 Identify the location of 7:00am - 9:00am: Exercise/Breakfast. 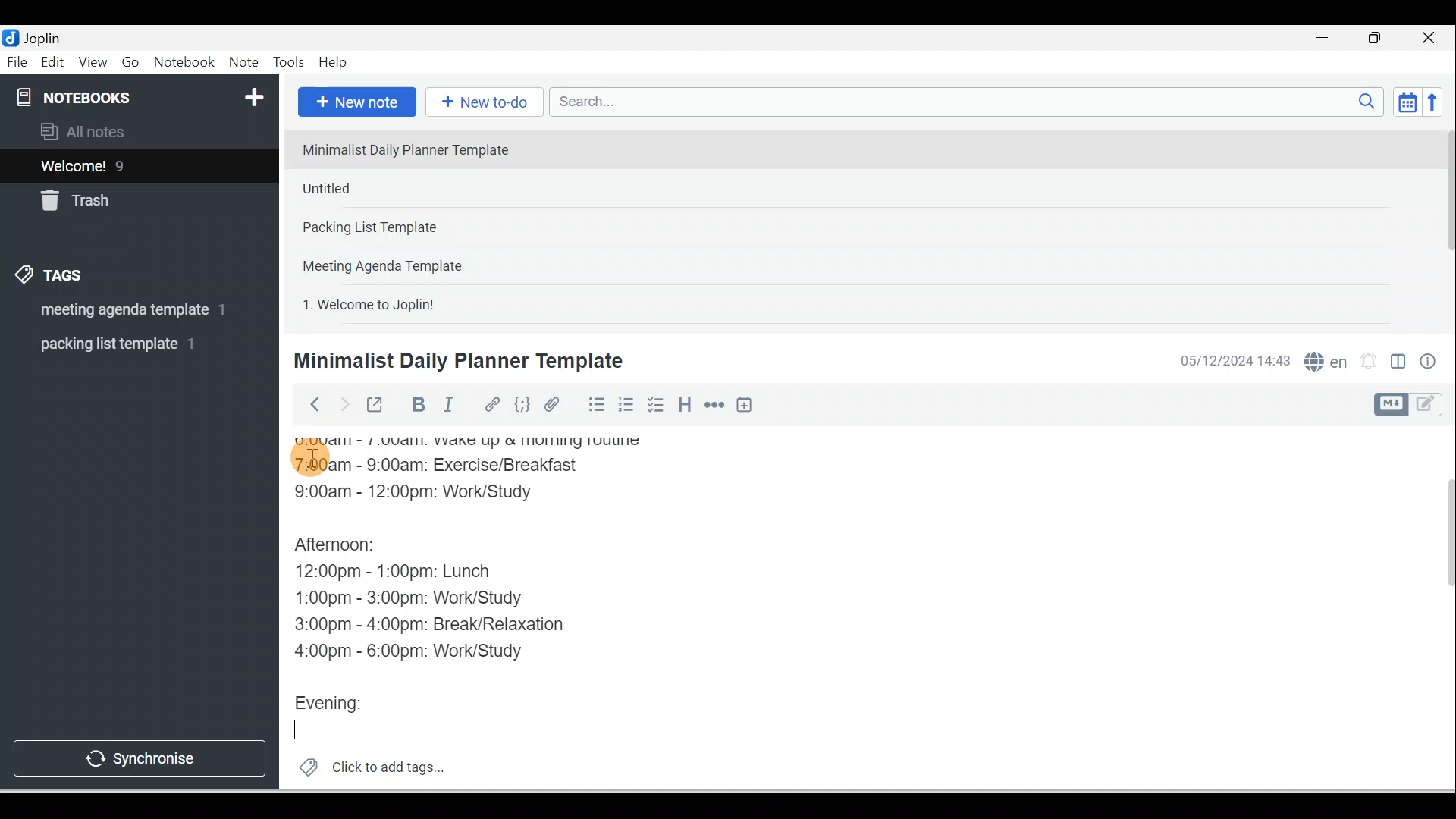
(456, 466).